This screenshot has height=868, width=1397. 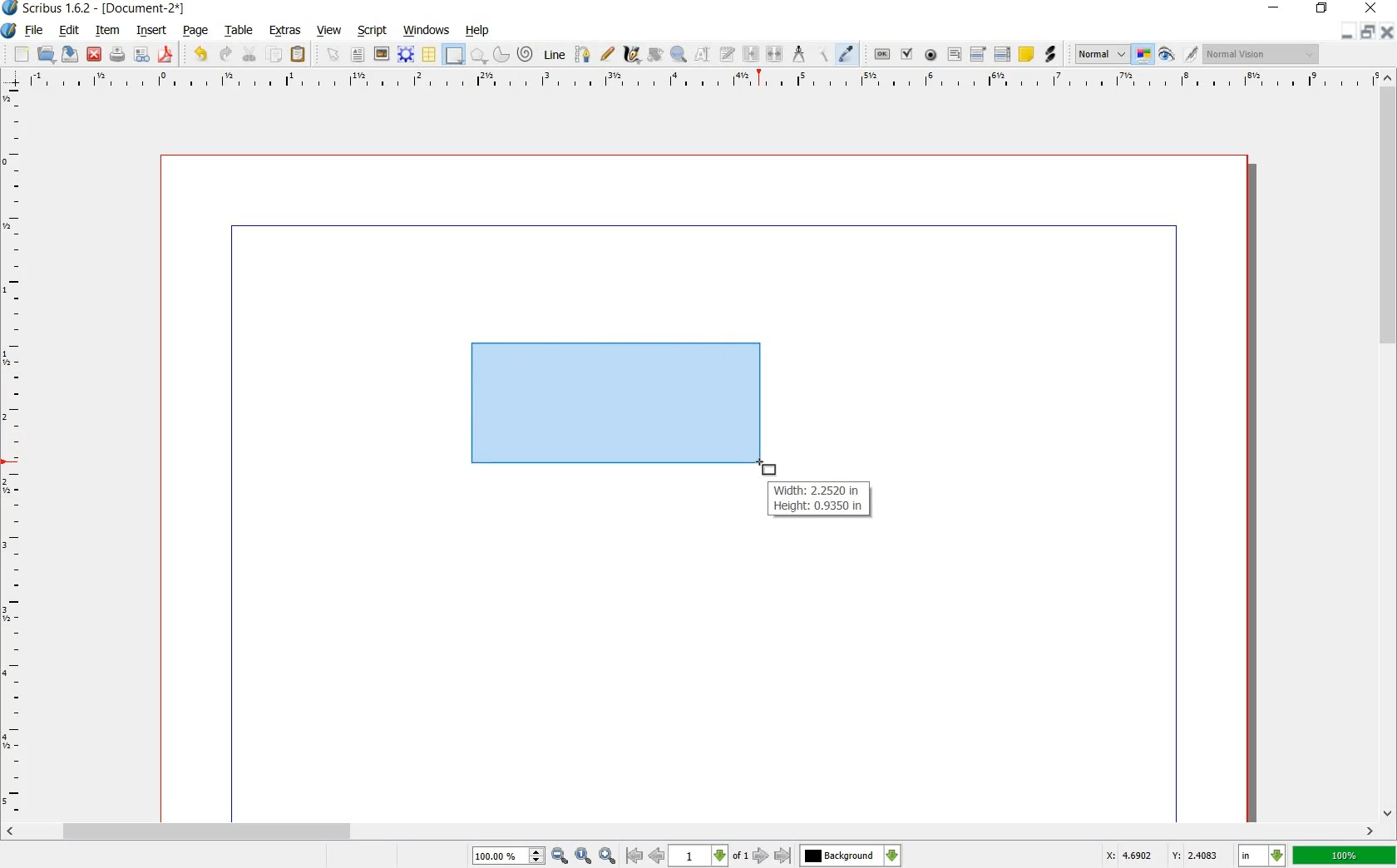 What do you see at coordinates (560, 856) in the screenshot?
I see `zoom out` at bounding box center [560, 856].